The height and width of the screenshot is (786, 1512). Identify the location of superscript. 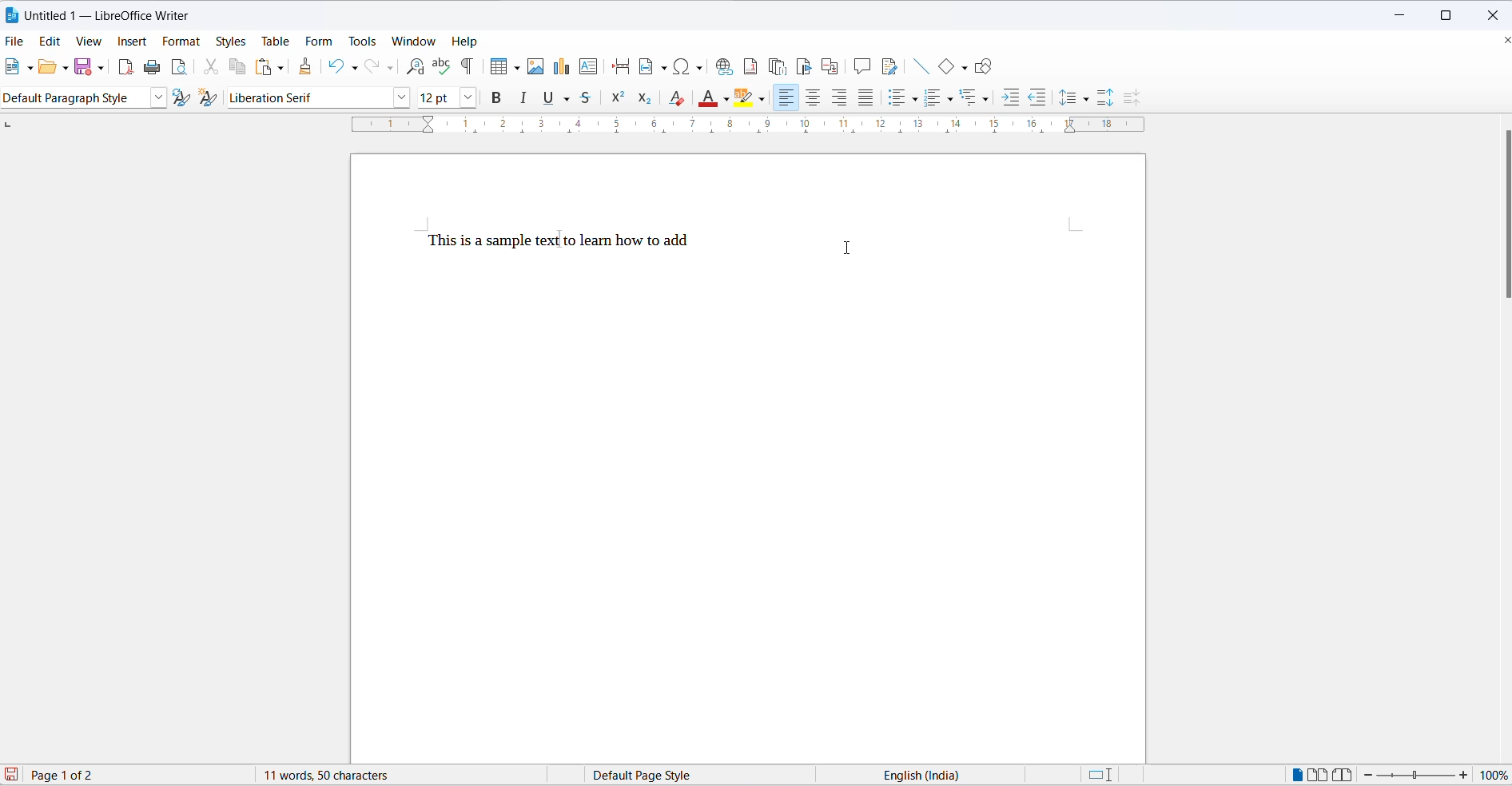
(618, 99).